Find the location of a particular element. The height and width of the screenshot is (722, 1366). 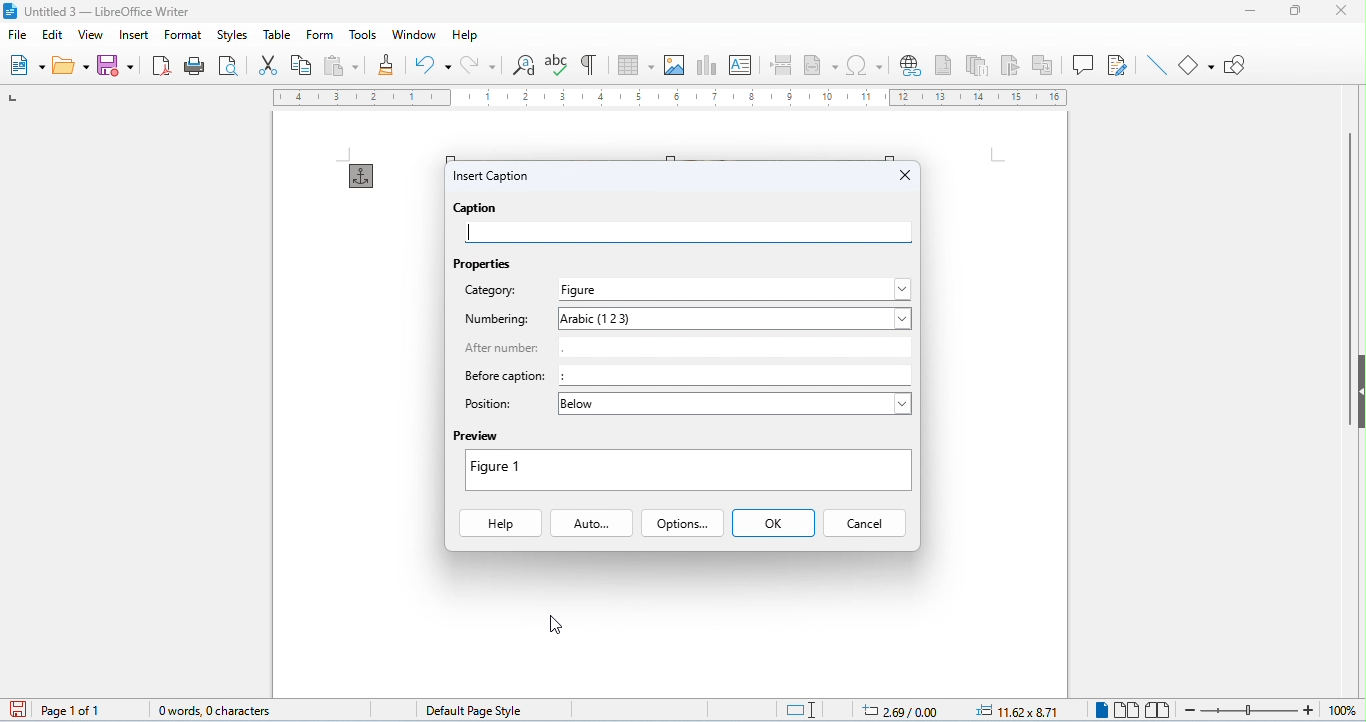

insert comment is located at coordinates (1084, 64).